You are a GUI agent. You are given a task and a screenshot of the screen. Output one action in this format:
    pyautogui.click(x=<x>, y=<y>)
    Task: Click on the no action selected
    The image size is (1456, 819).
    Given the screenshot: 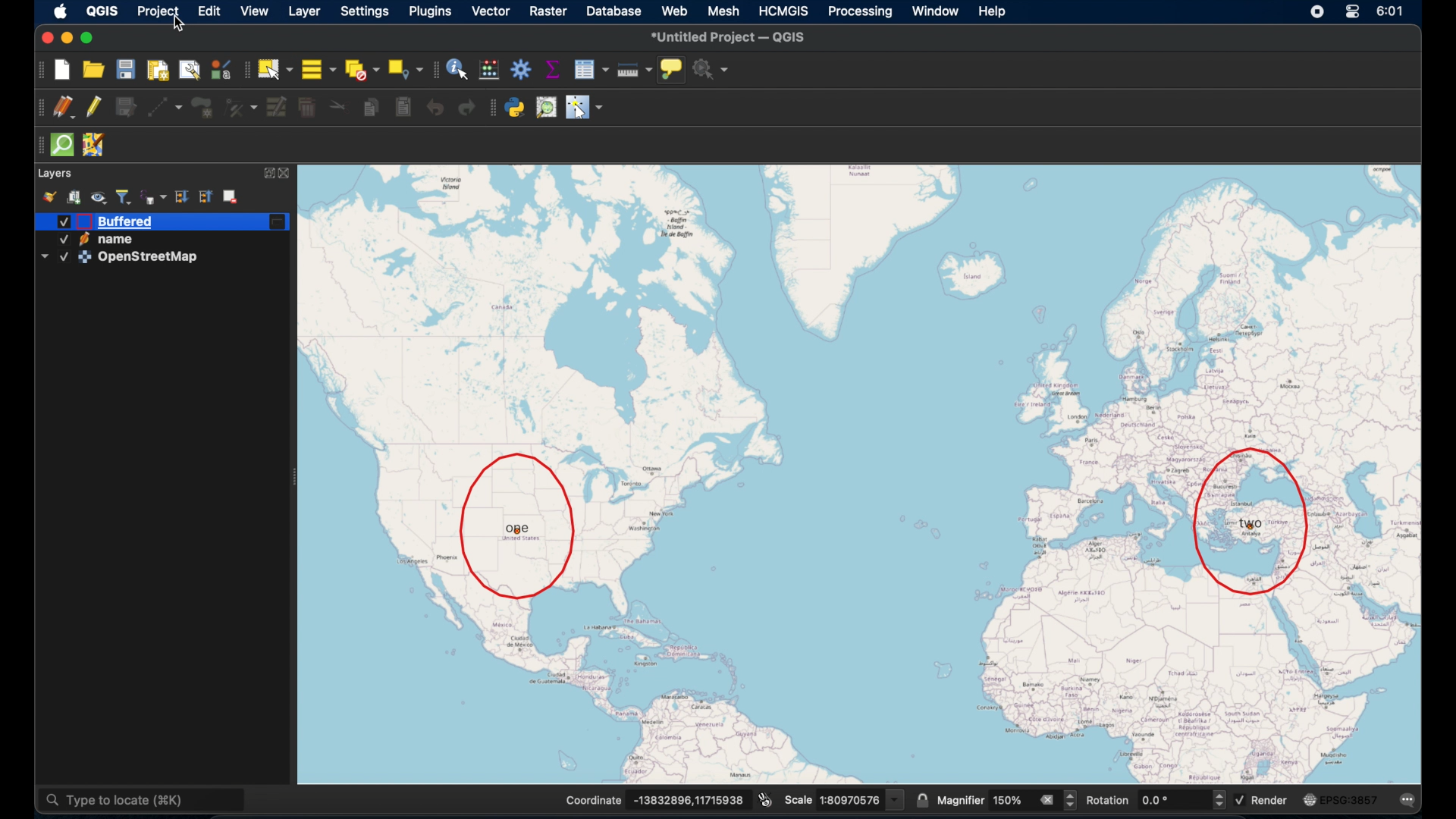 What is the action you would take?
    pyautogui.click(x=713, y=69)
    